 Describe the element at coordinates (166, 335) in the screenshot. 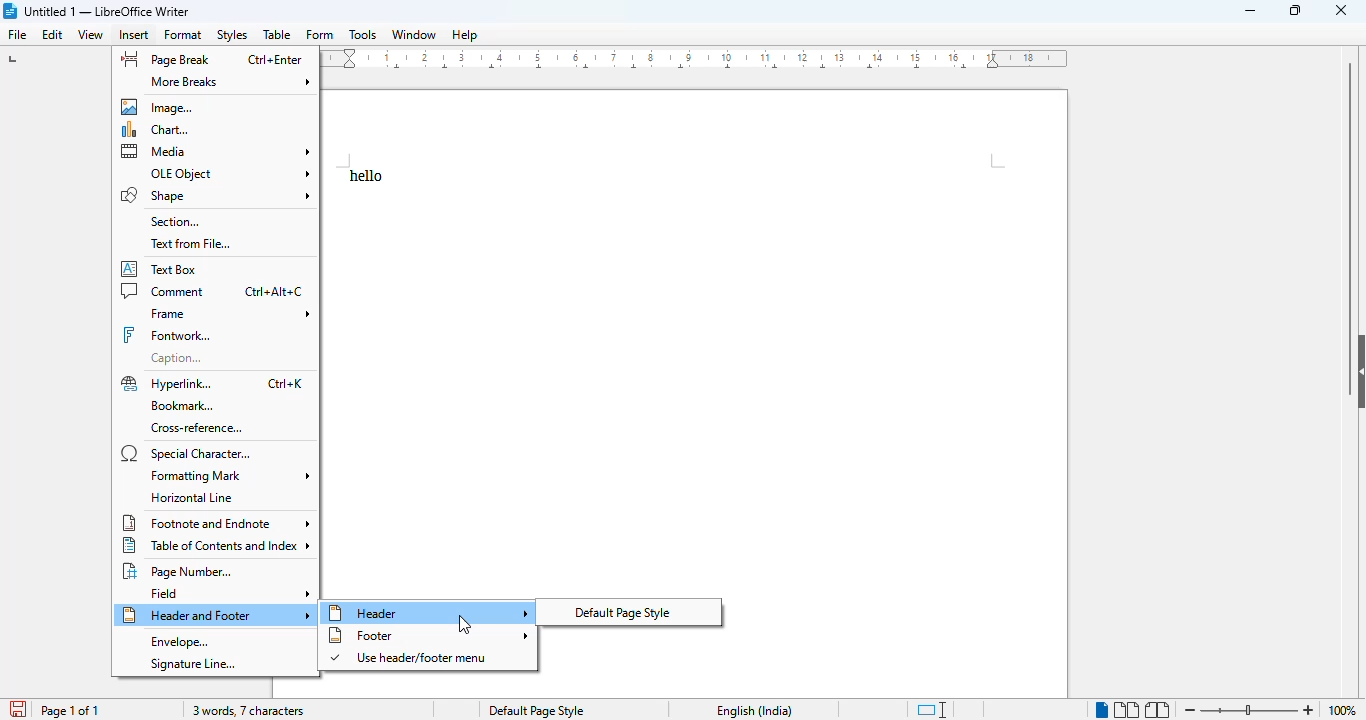

I see `fontwork` at that location.